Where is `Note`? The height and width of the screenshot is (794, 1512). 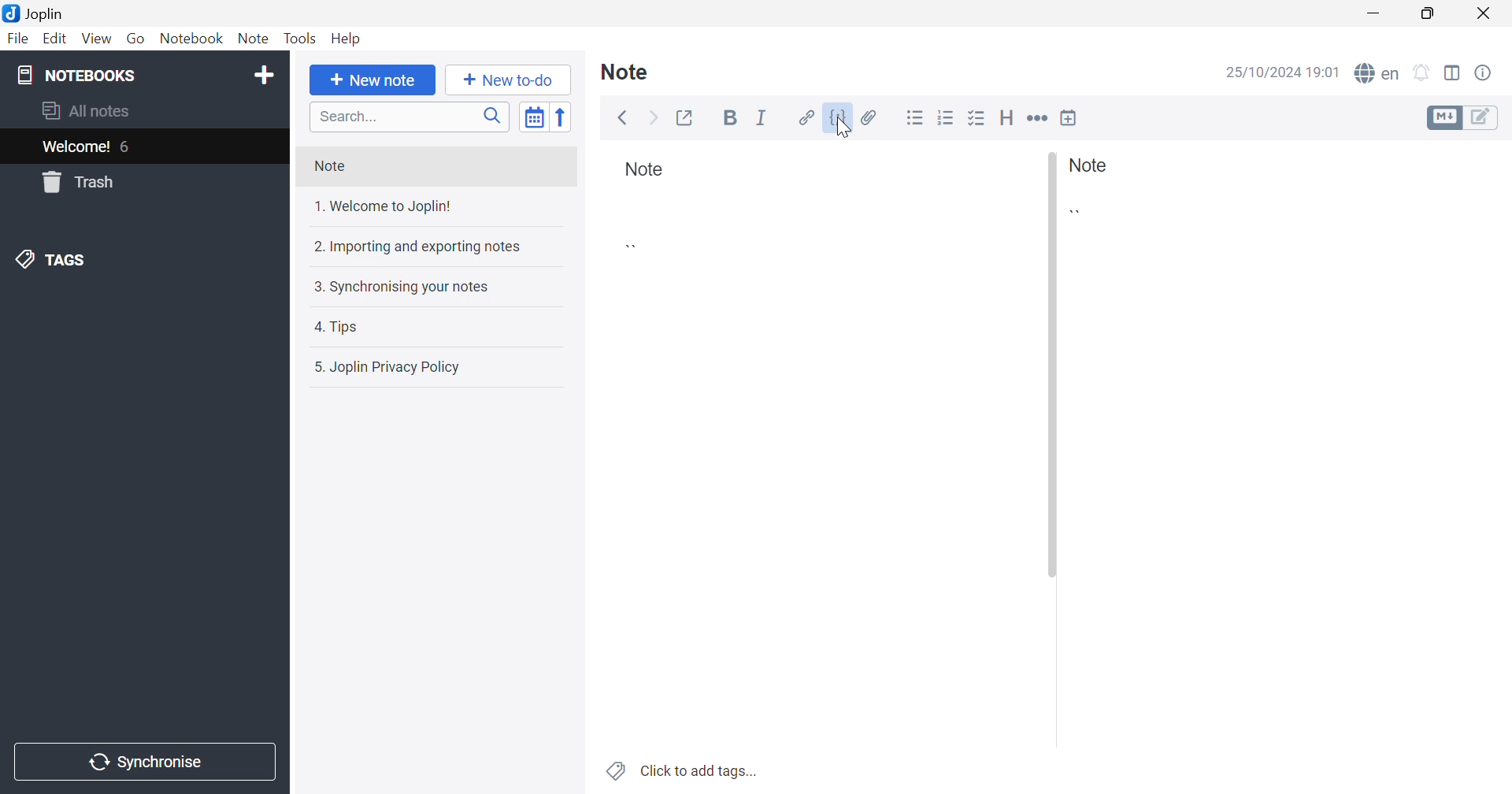 Note is located at coordinates (622, 72).